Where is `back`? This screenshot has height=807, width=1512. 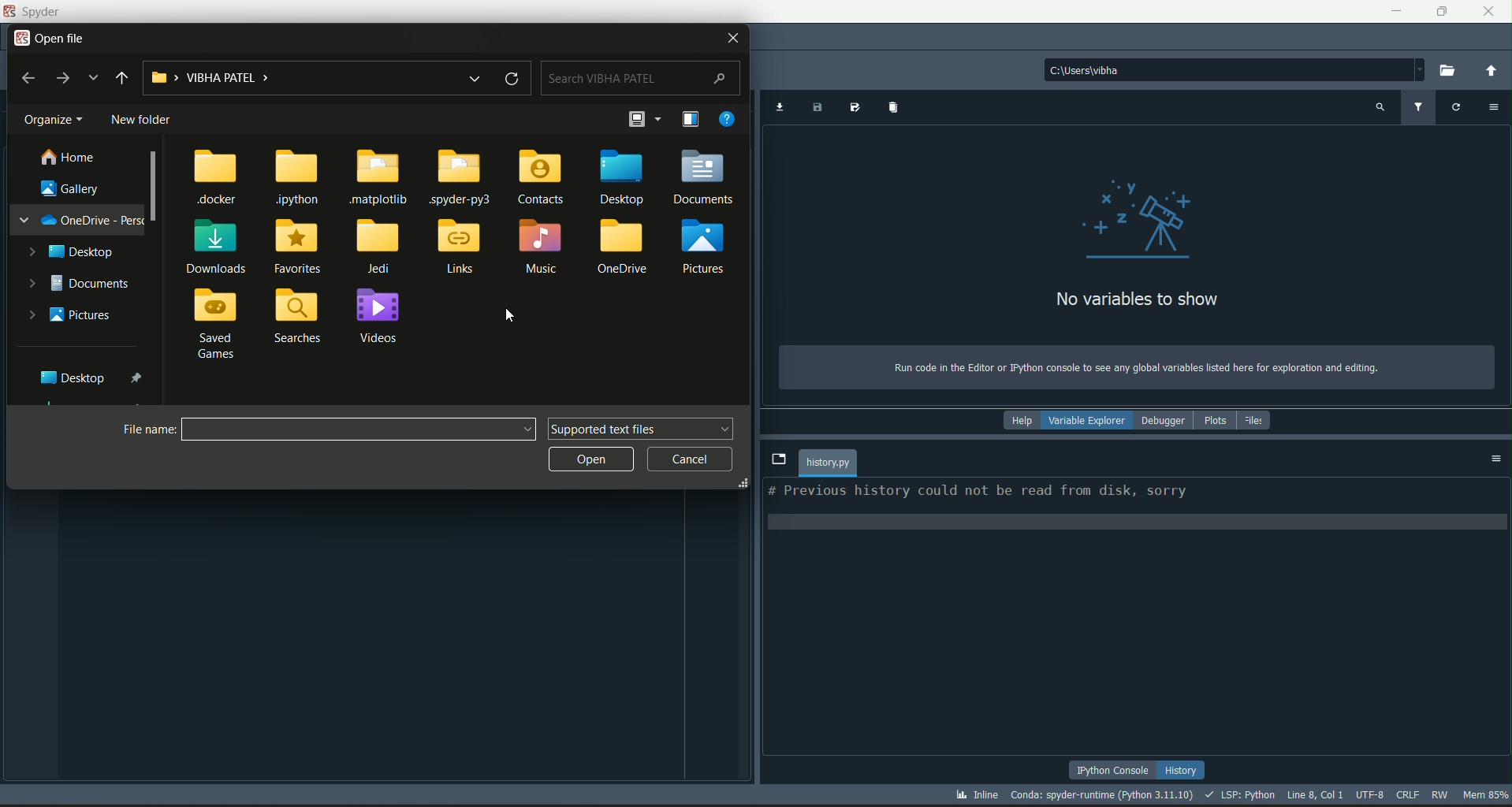 back is located at coordinates (30, 78).